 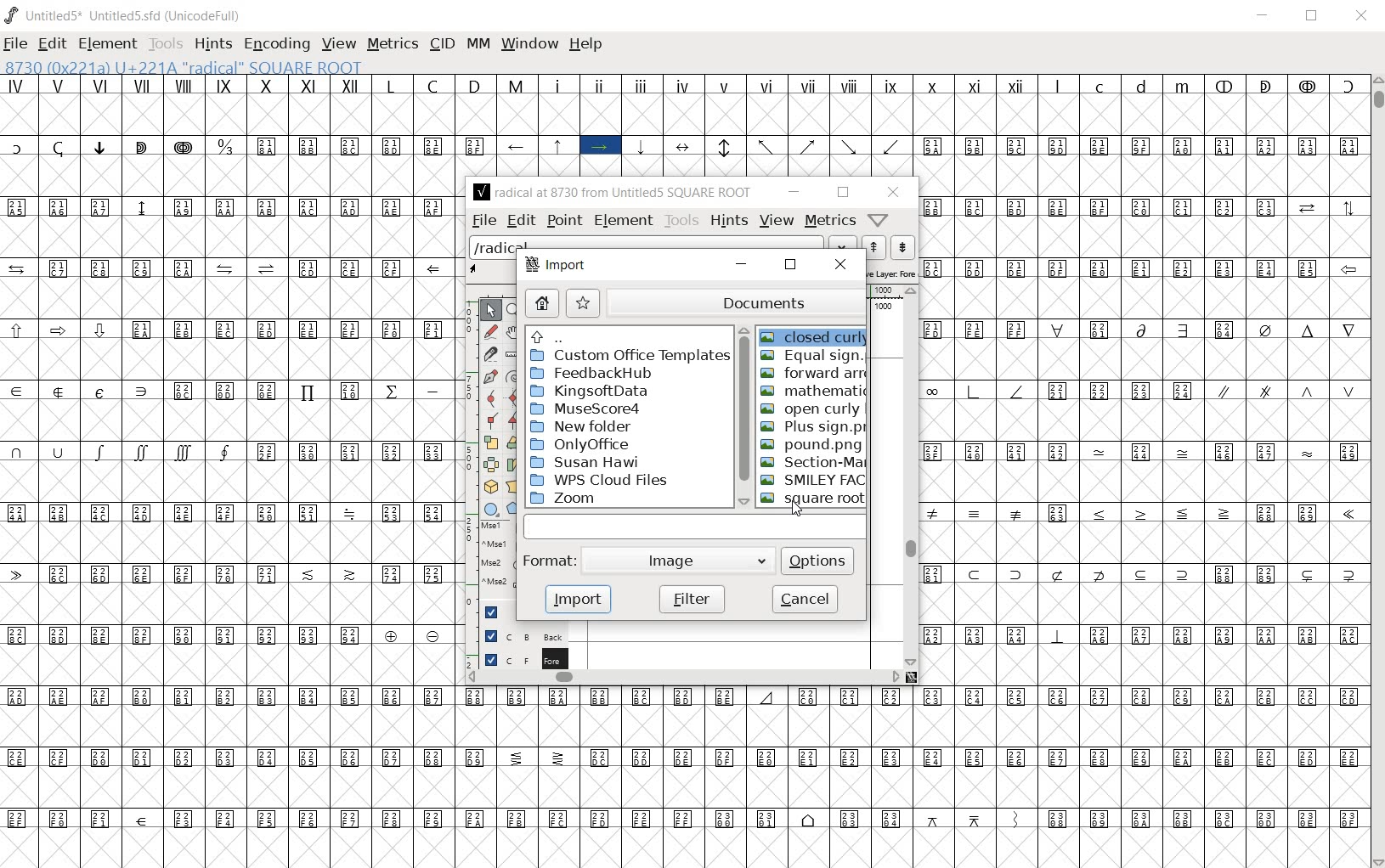 I want to click on Custom Office Templates, so click(x=630, y=355).